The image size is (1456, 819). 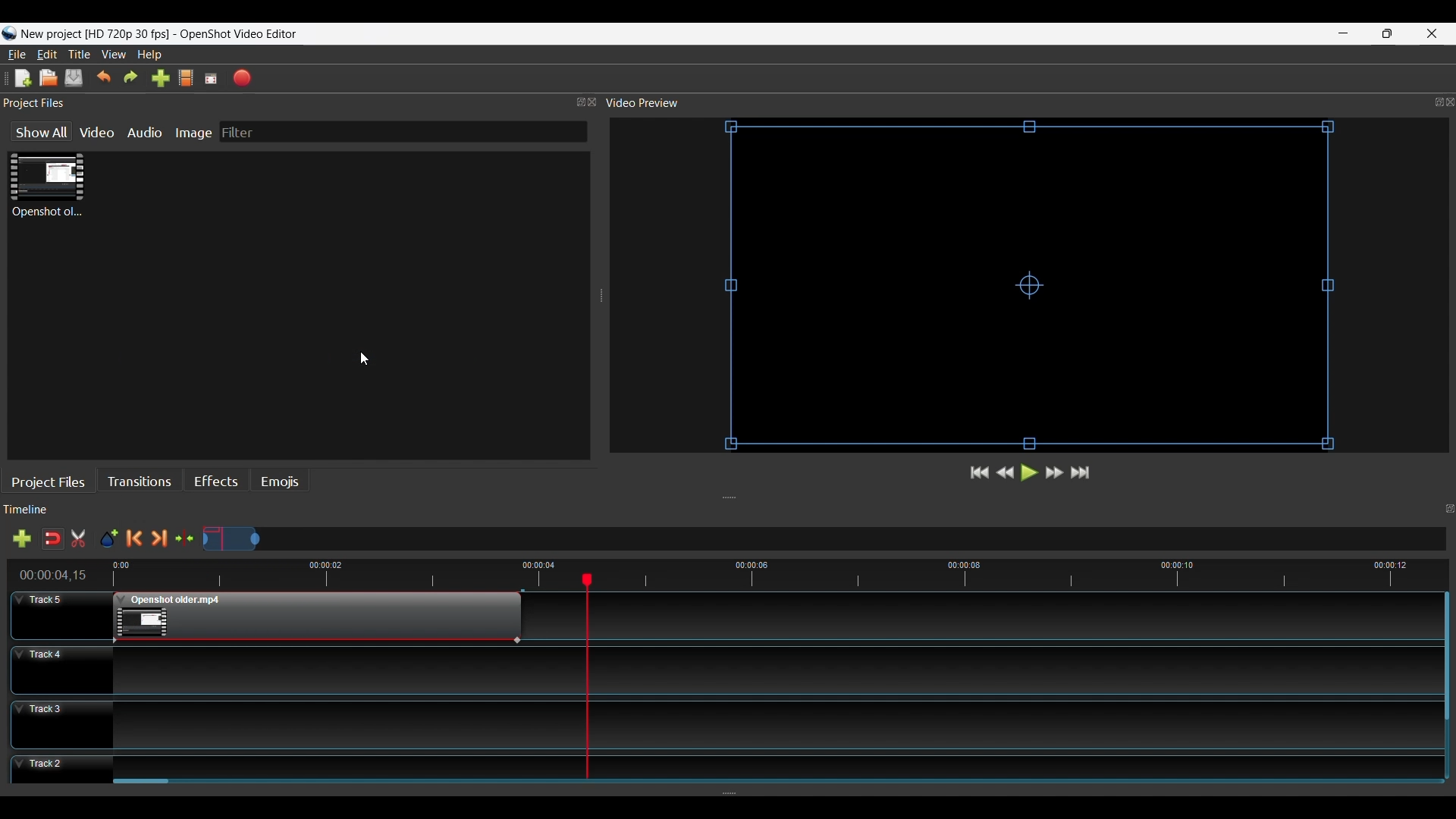 What do you see at coordinates (137, 538) in the screenshot?
I see `Previous marker` at bounding box center [137, 538].